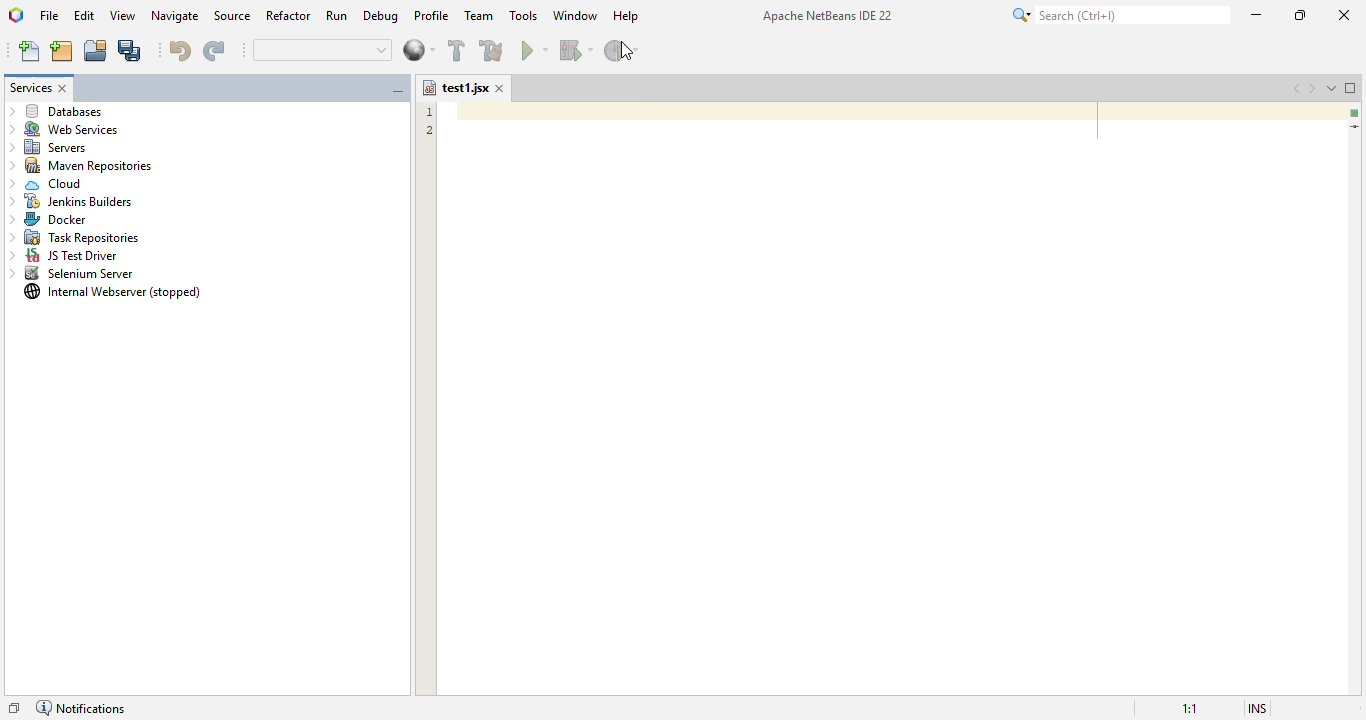  Describe the element at coordinates (627, 51) in the screenshot. I see `cursor` at that location.